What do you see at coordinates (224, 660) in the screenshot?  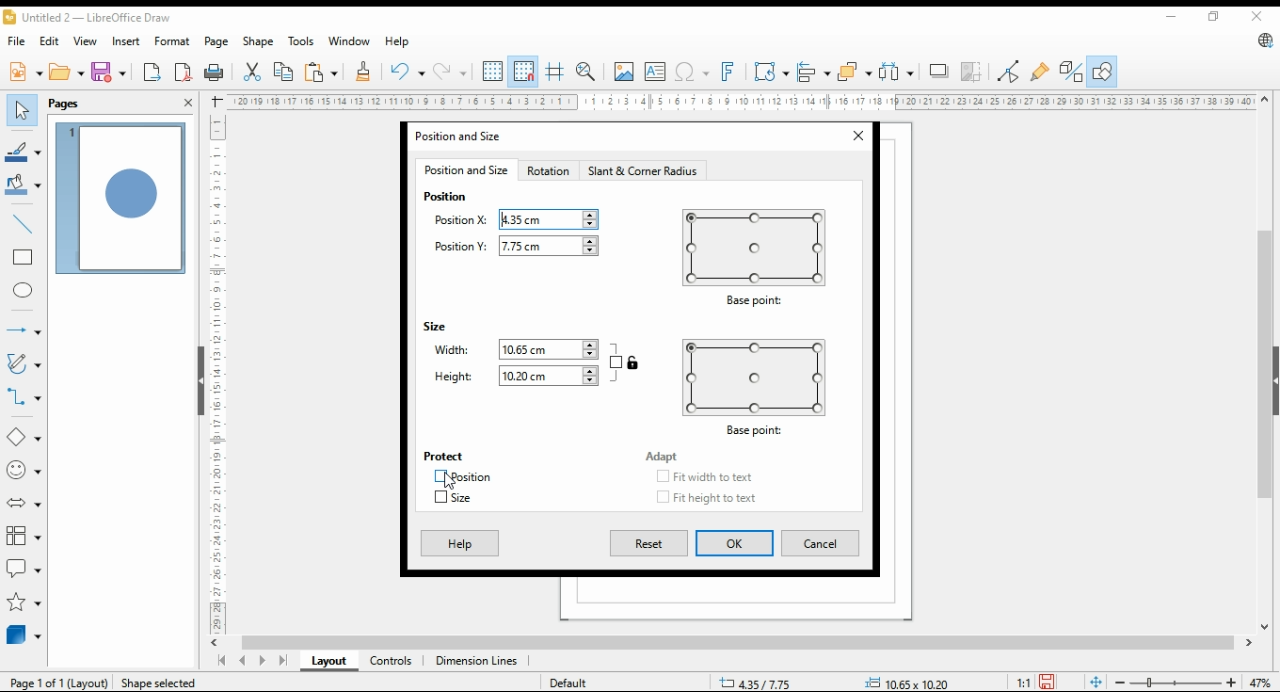 I see `first page` at bounding box center [224, 660].